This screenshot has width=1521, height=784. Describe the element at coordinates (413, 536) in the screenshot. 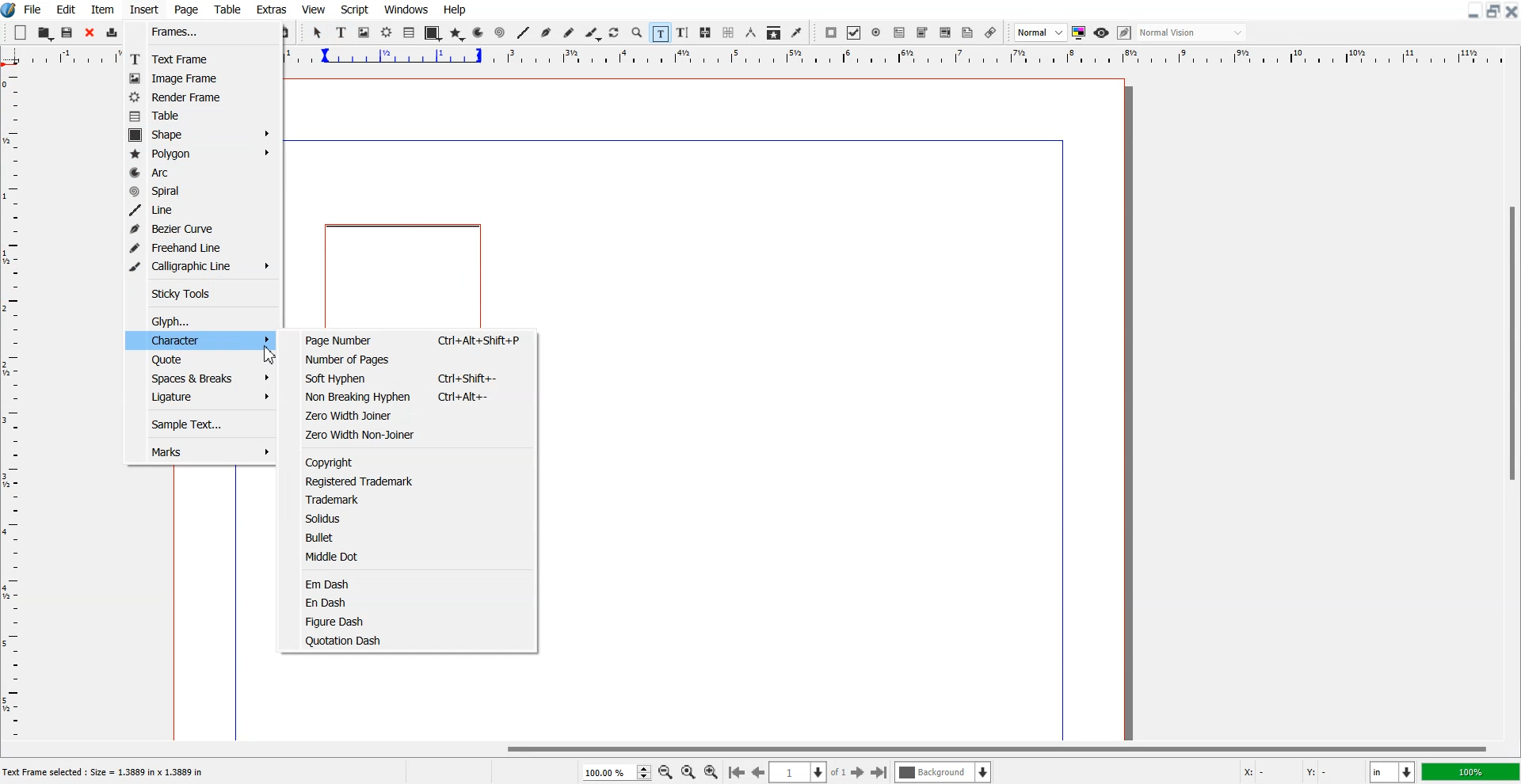

I see `Bullet` at that location.